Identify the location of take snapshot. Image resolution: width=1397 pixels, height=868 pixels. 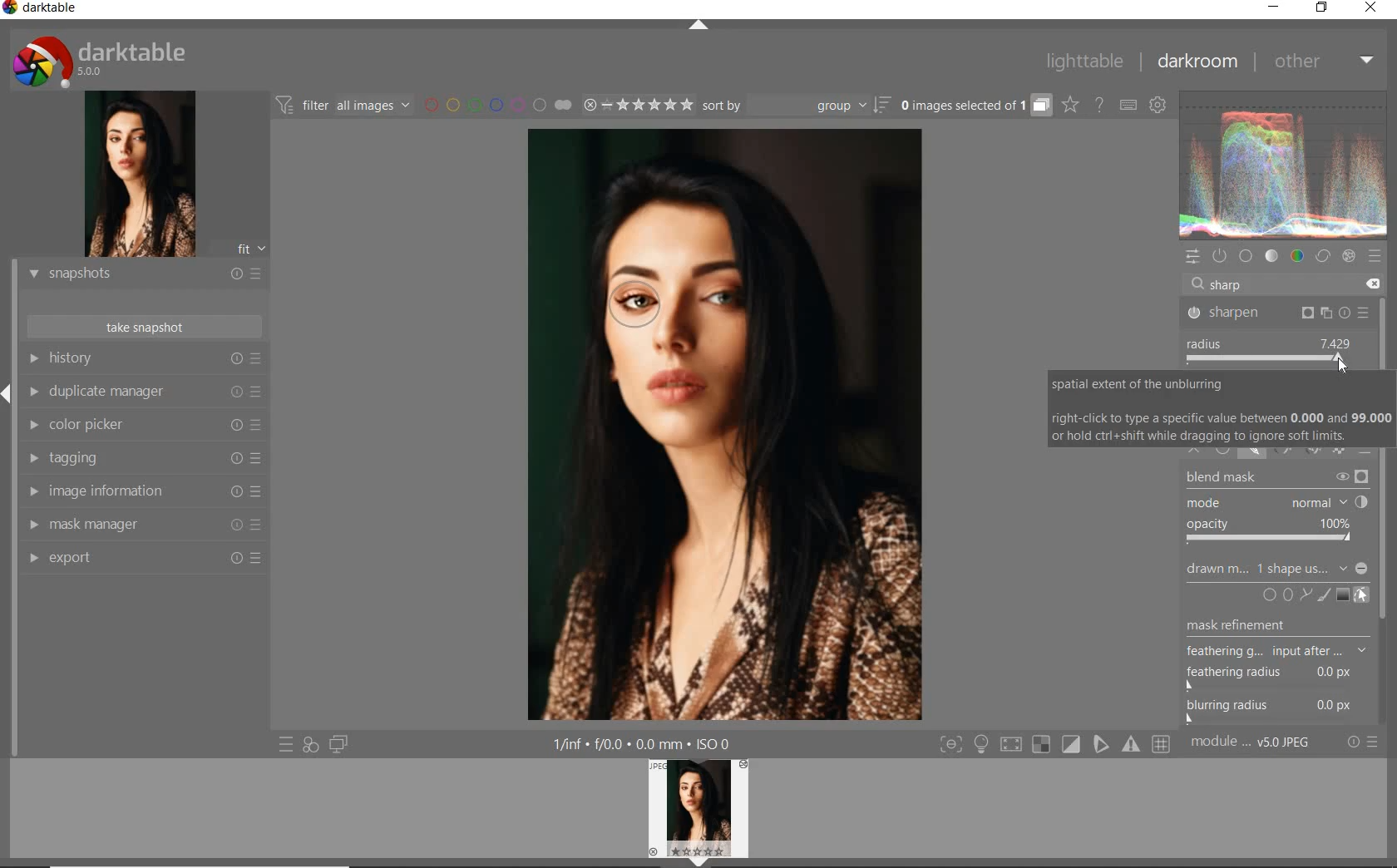
(143, 328).